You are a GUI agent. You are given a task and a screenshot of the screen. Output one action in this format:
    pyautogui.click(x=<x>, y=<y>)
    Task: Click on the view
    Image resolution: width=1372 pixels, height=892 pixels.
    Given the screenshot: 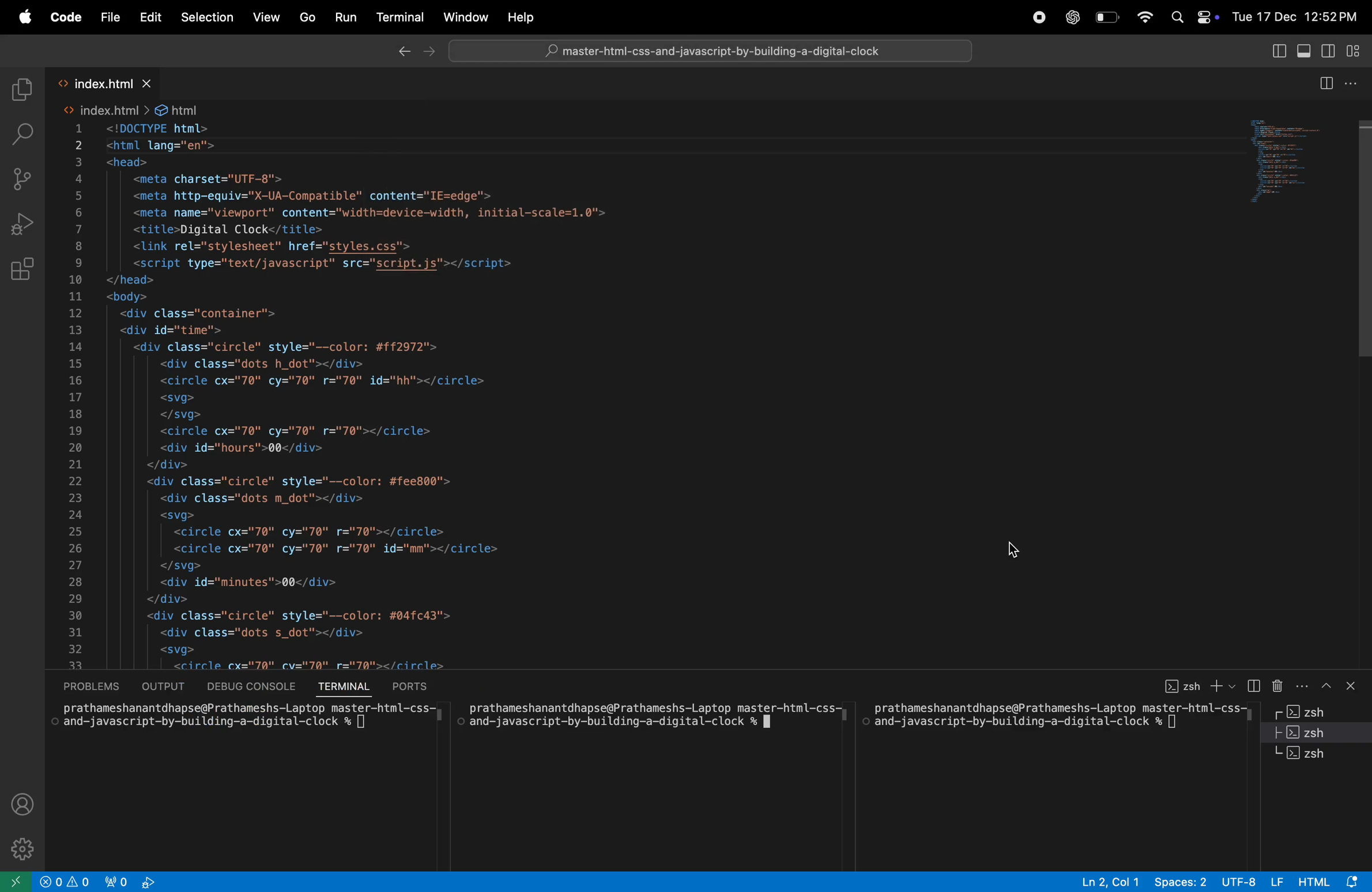 What is the action you would take?
    pyautogui.click(x=1302, y=52)
    